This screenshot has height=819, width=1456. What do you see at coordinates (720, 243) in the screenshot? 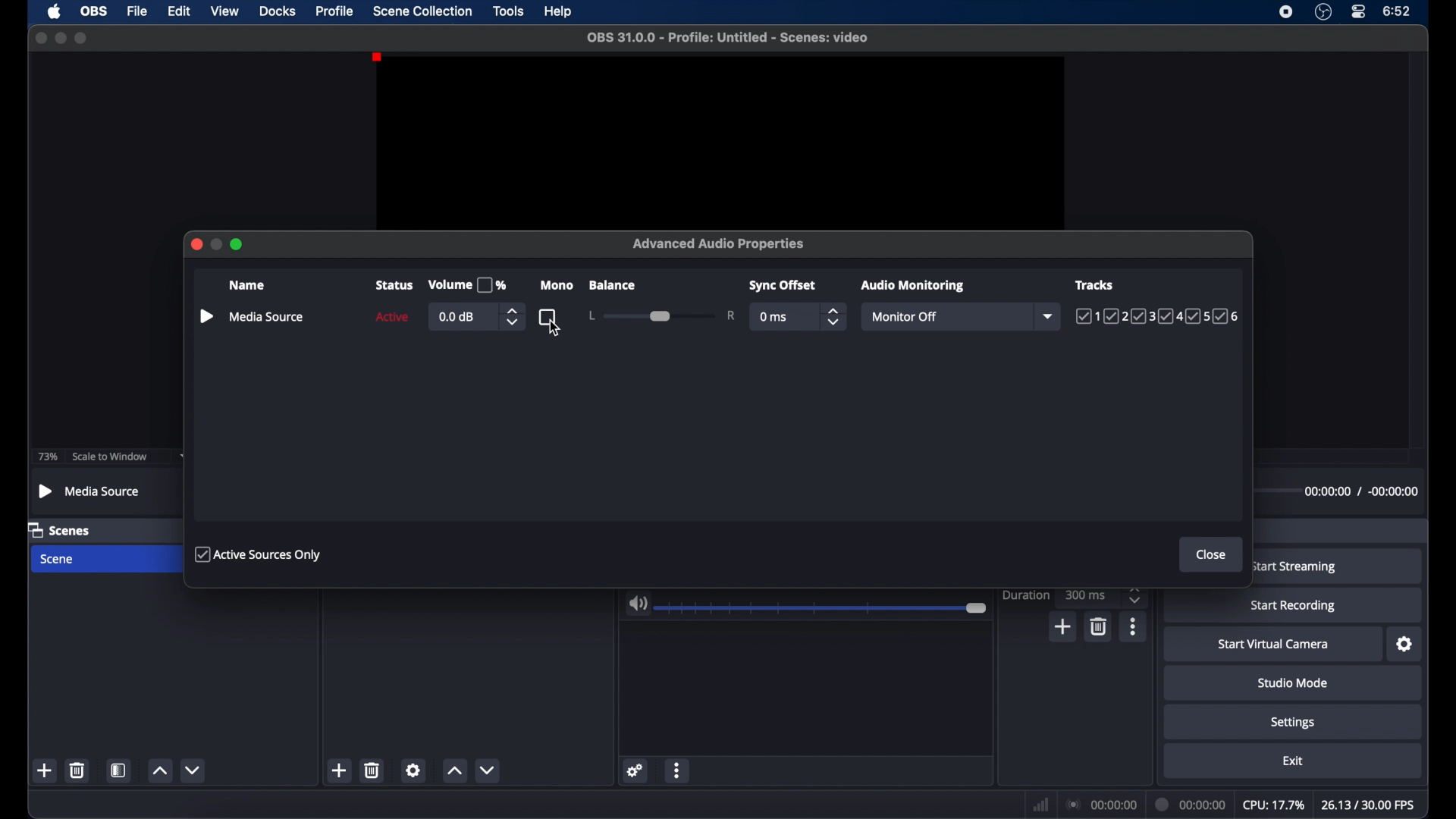
I see `advanced audio properties` at bounding box center [720, 243].